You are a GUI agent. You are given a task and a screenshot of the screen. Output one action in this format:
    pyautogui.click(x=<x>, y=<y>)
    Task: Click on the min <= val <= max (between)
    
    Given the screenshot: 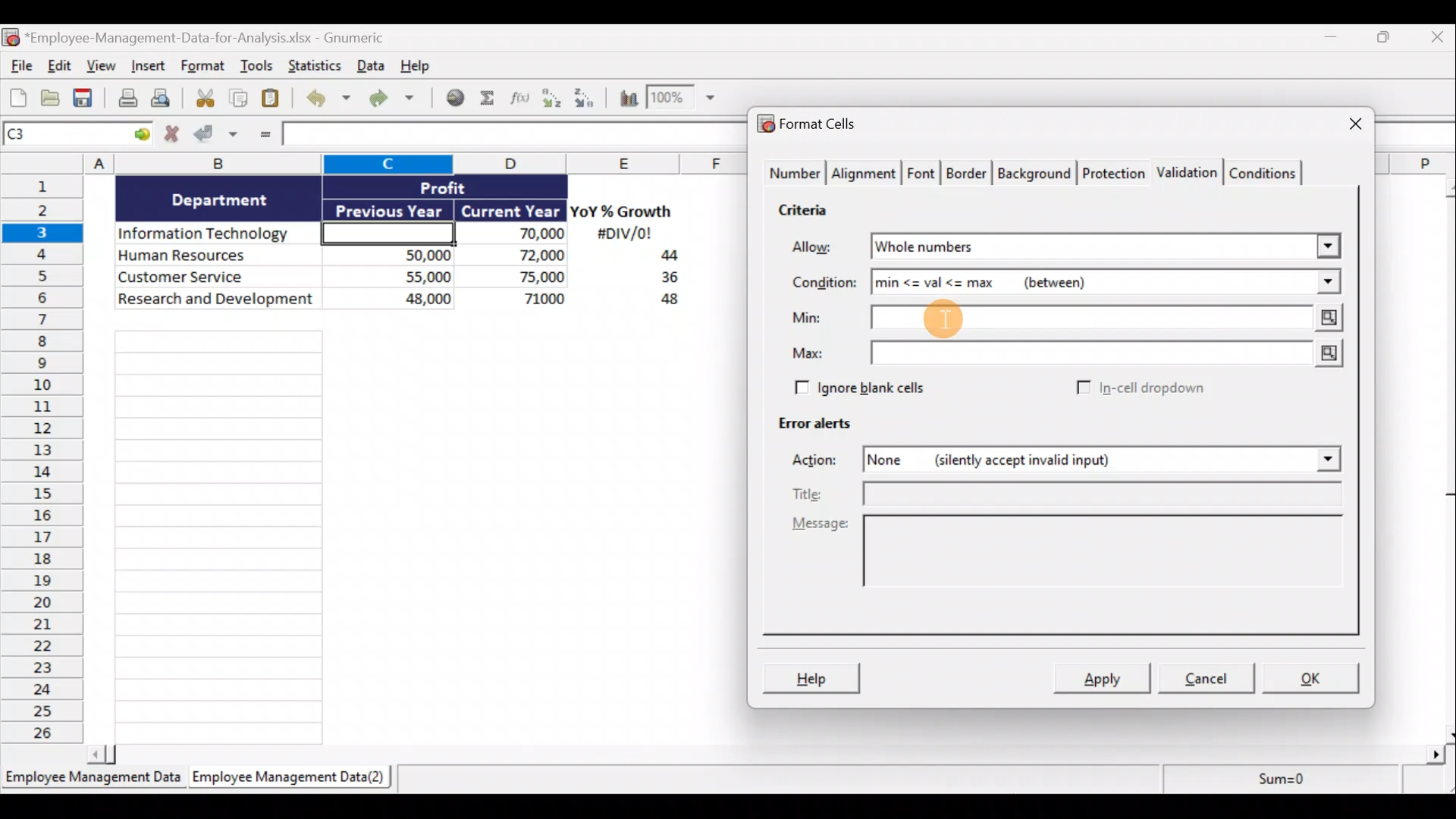 What is the action you would take?
    pyautogui.click(x=1086, y=285)
    